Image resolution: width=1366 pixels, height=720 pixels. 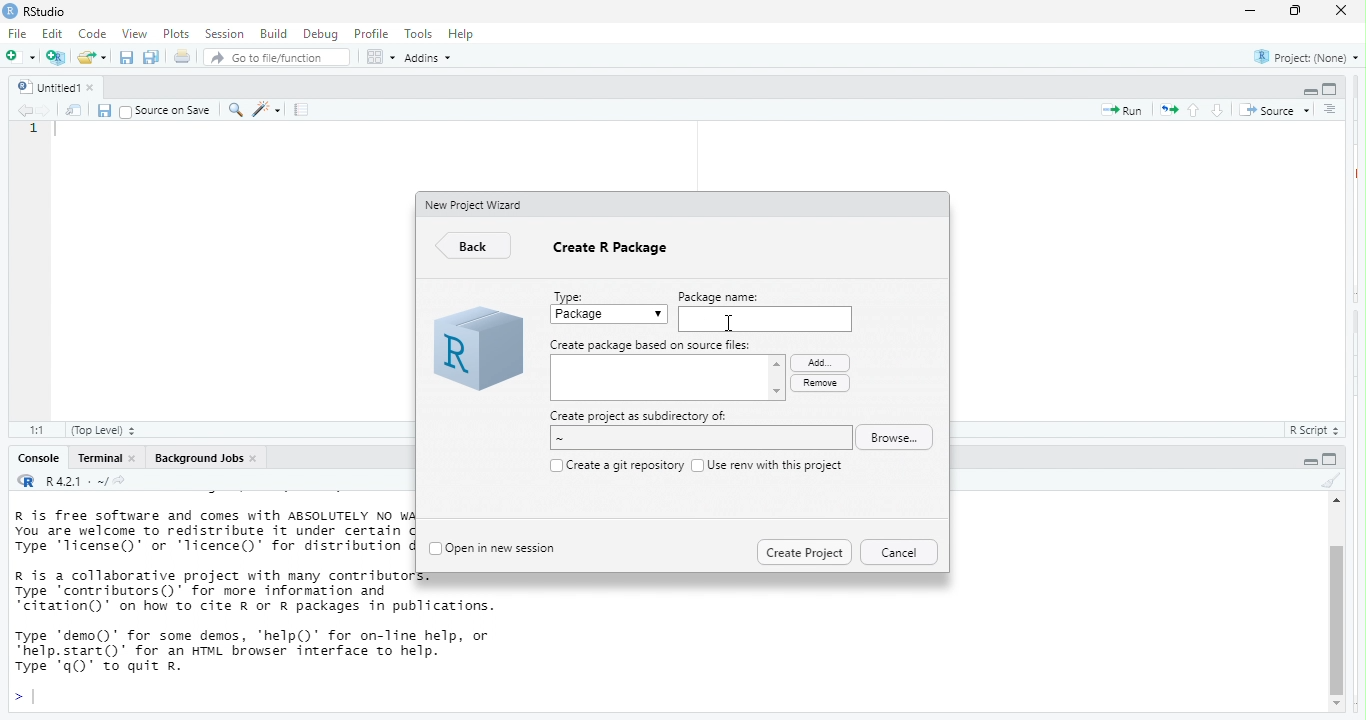 What do you see at coordinates (418, 35) in the screenshot?
I see `Tools` at bounding box center [418, 35].